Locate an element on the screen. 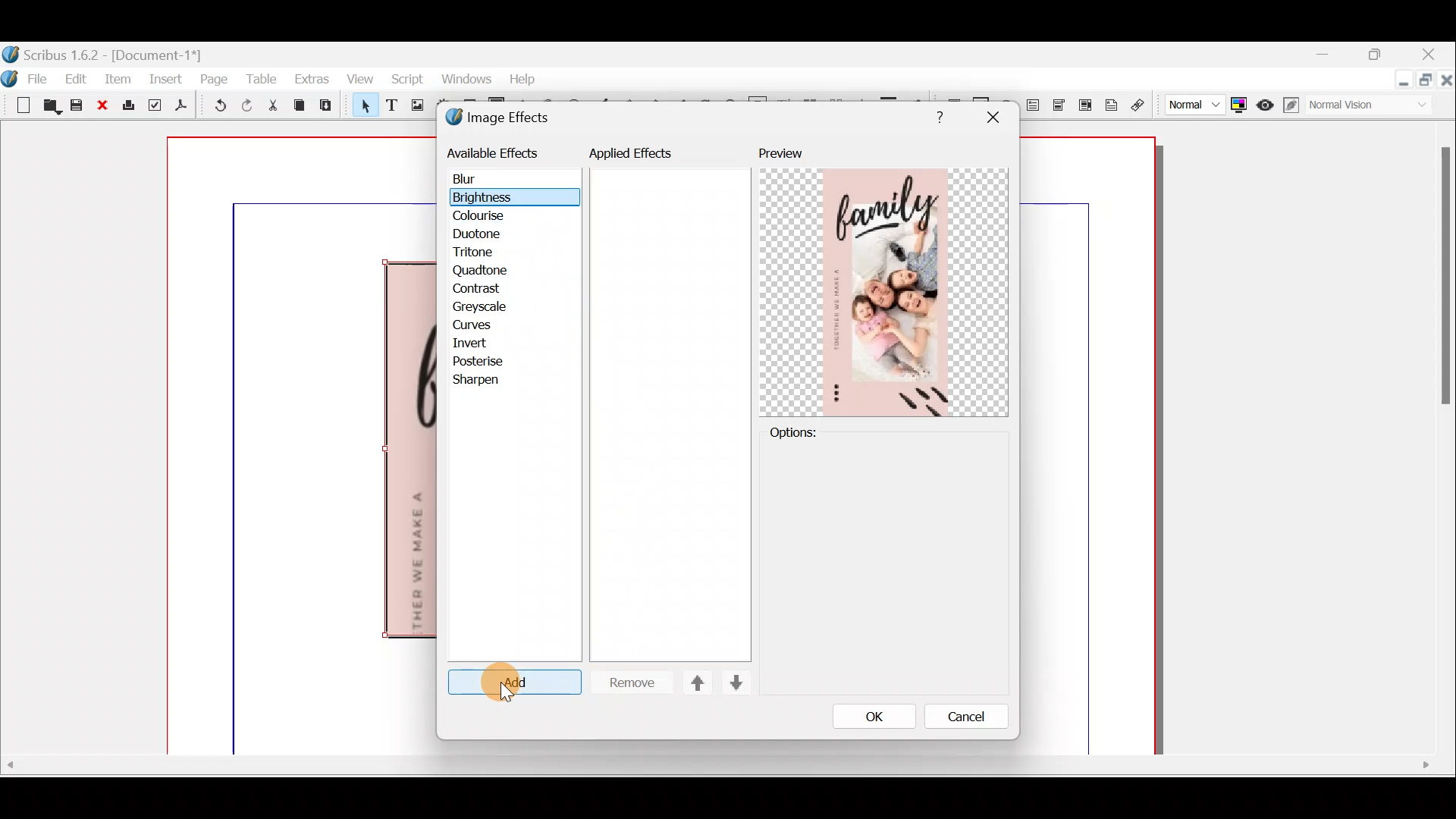 The height and width of the screenshot is (819, 1456). Copy is located at coordinates (300, 105).